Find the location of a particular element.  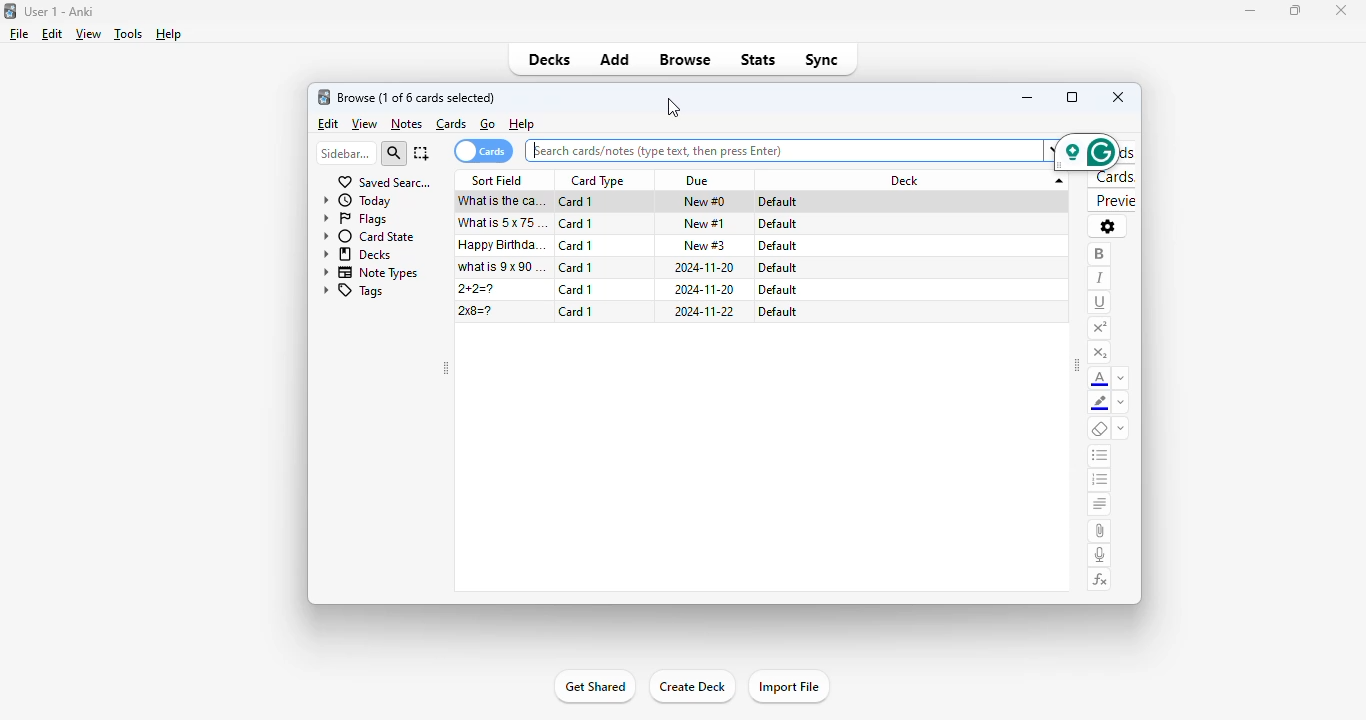

flags is located at coordinates (356, 219).